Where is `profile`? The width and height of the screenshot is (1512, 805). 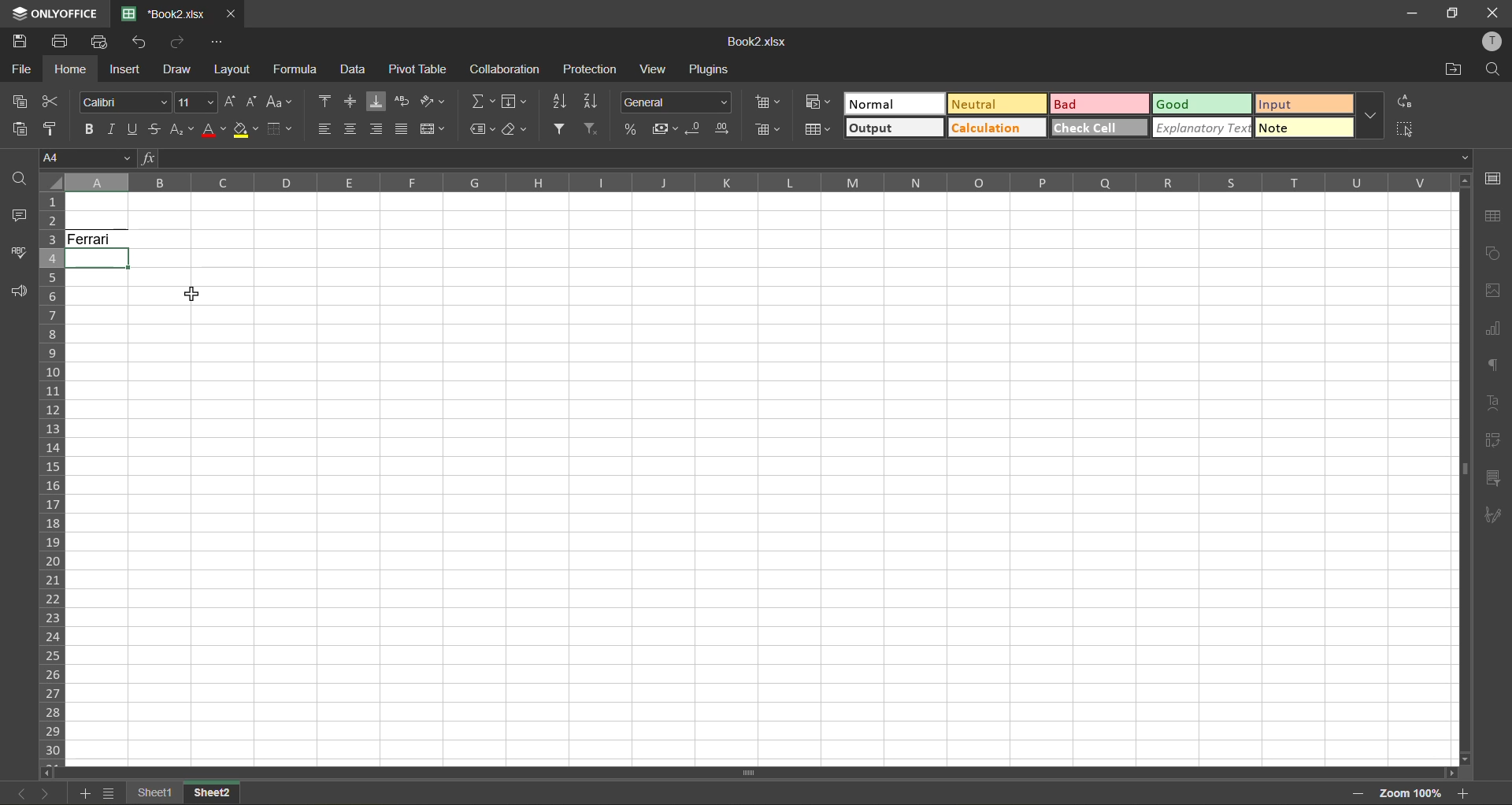
profile is located at coordinates (1494, 43).